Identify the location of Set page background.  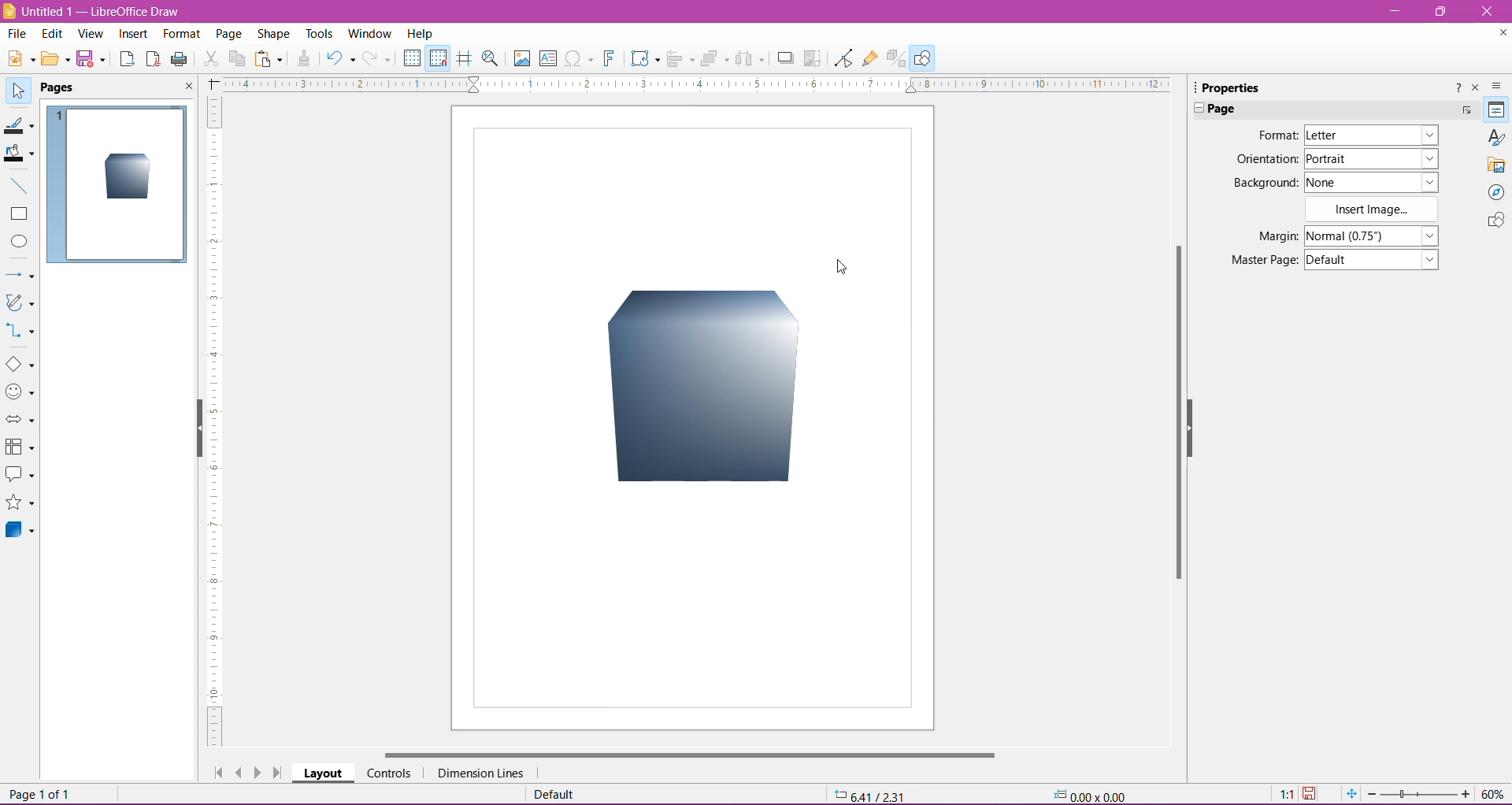
(1372, 182).